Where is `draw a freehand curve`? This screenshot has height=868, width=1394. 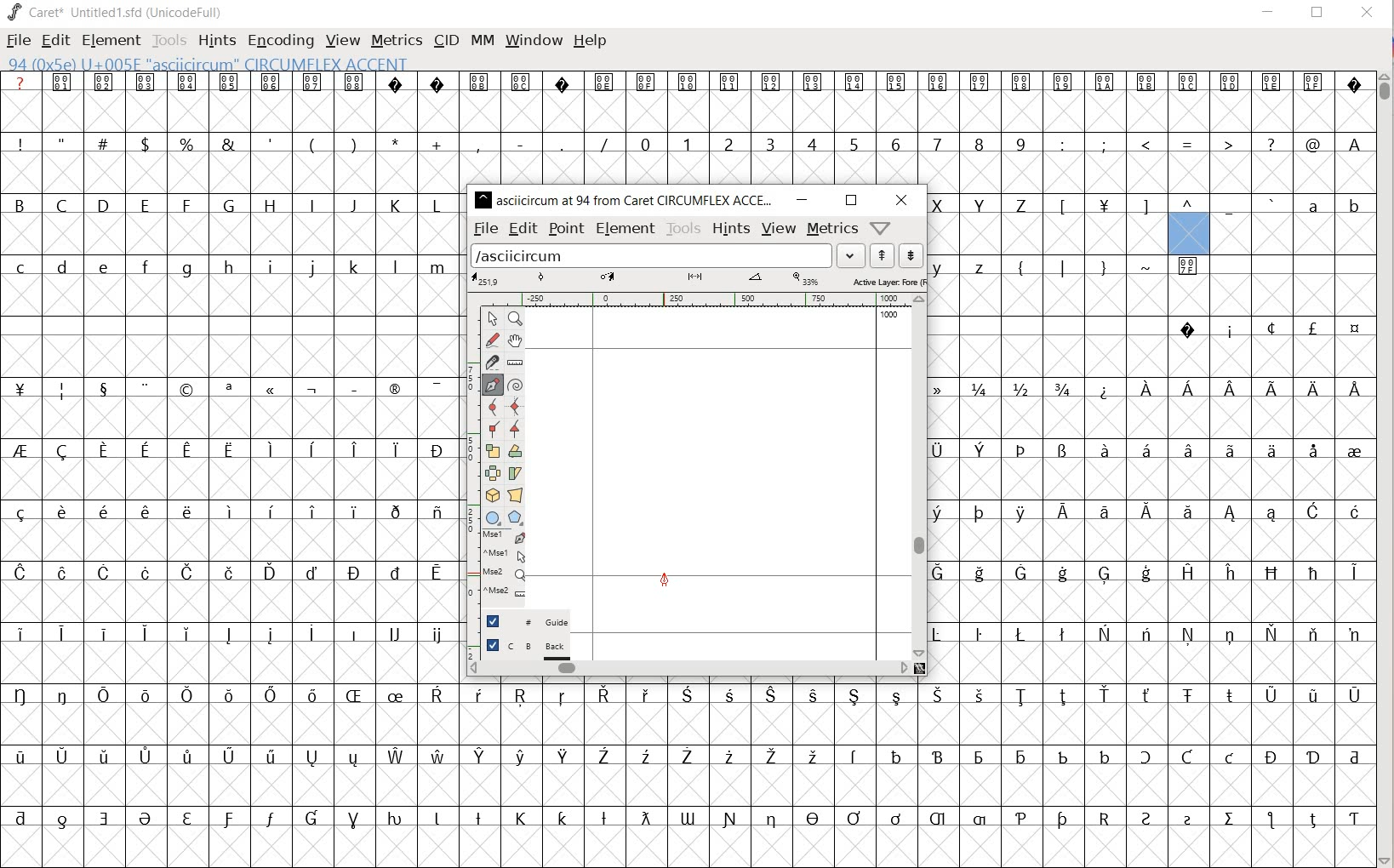 draw a freehand curve is located at coordinates (492, 340).